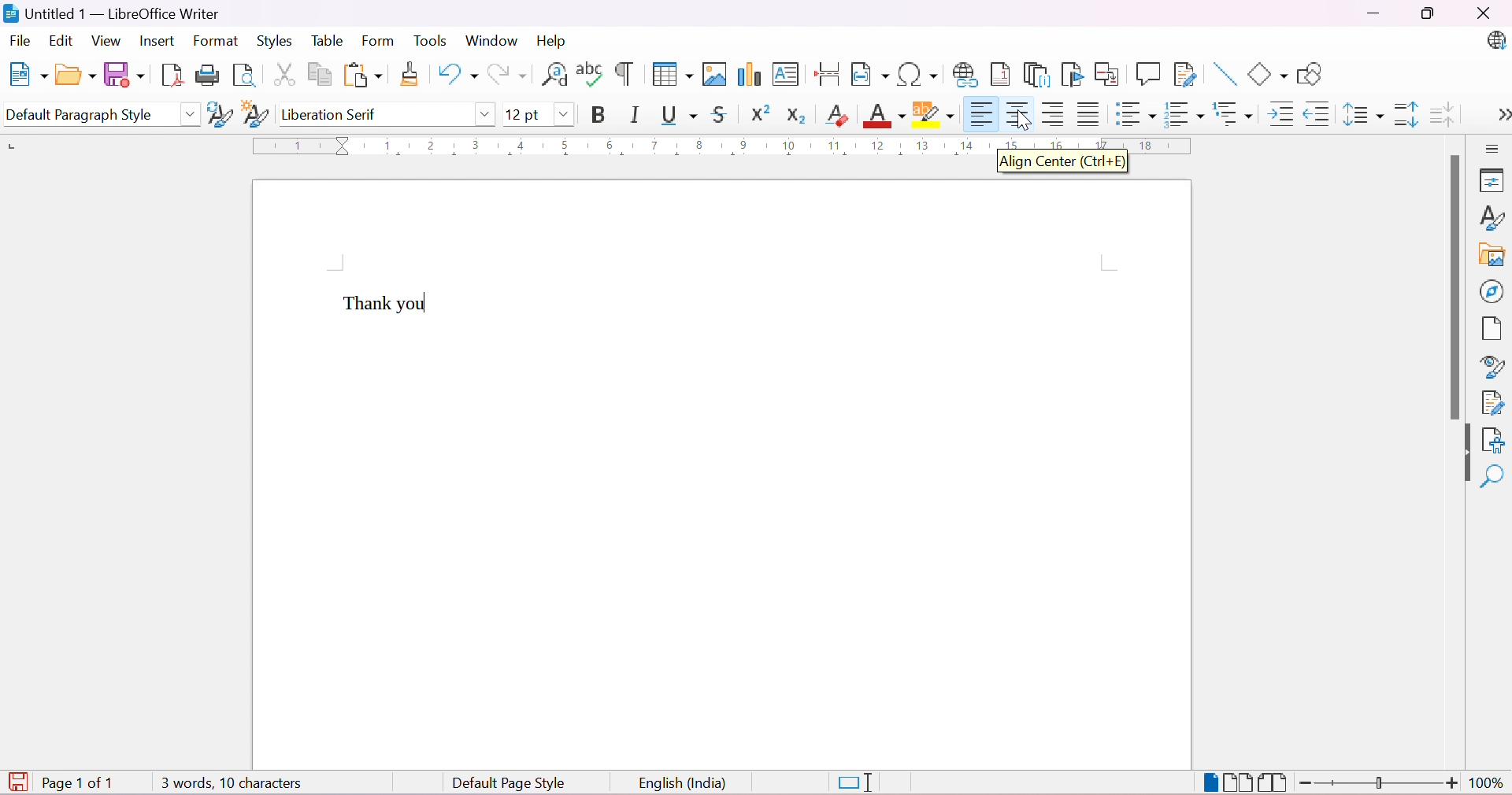 Image resolution: width=1512 pixels, height=795 pixels. Describe the element at coordinates (918, 75) in the screenshot. I see `Insert Special Characters` at that location.